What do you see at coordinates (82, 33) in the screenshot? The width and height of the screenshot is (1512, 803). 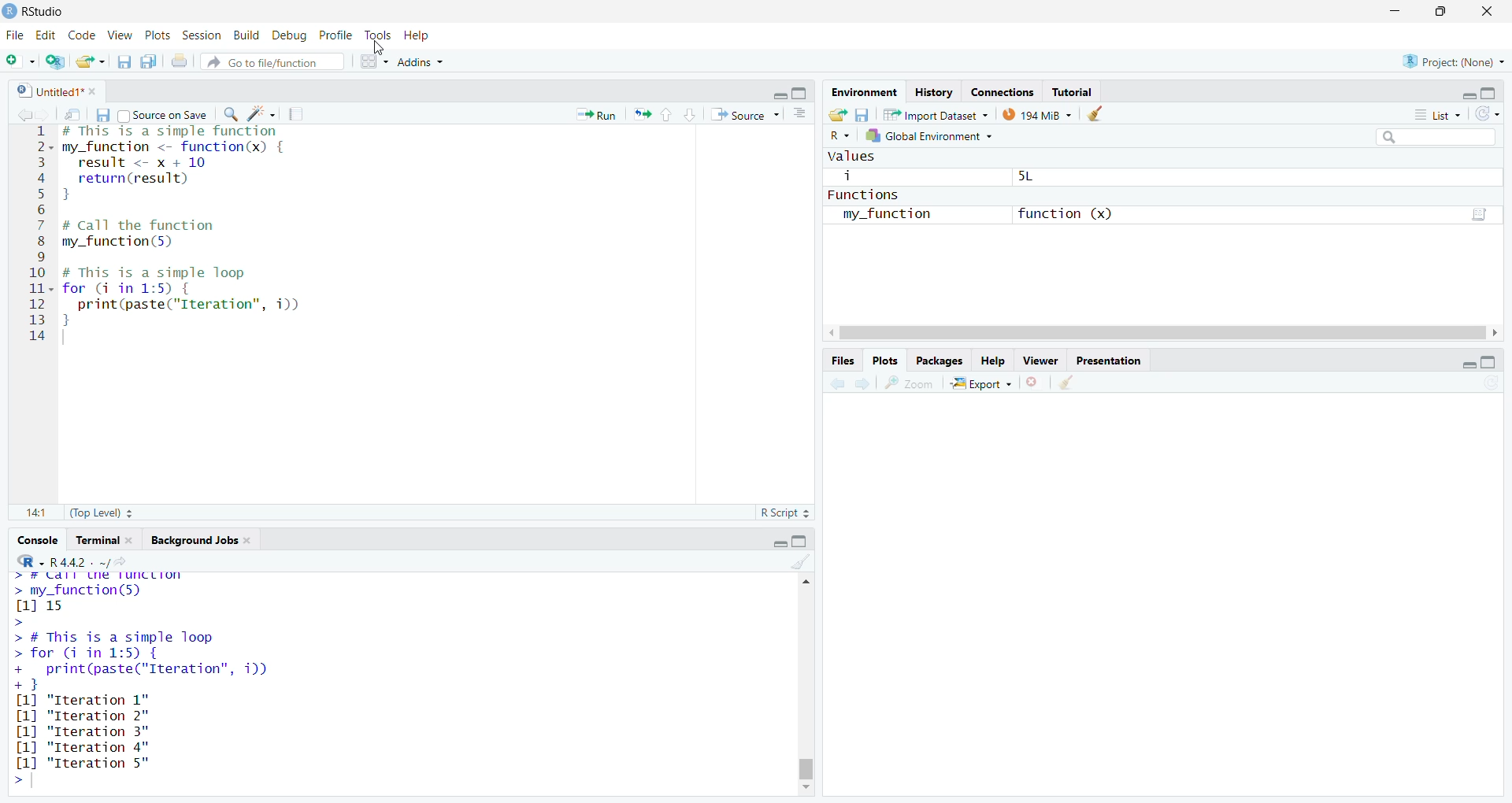 I see `code` at bounding box center [82, 33].